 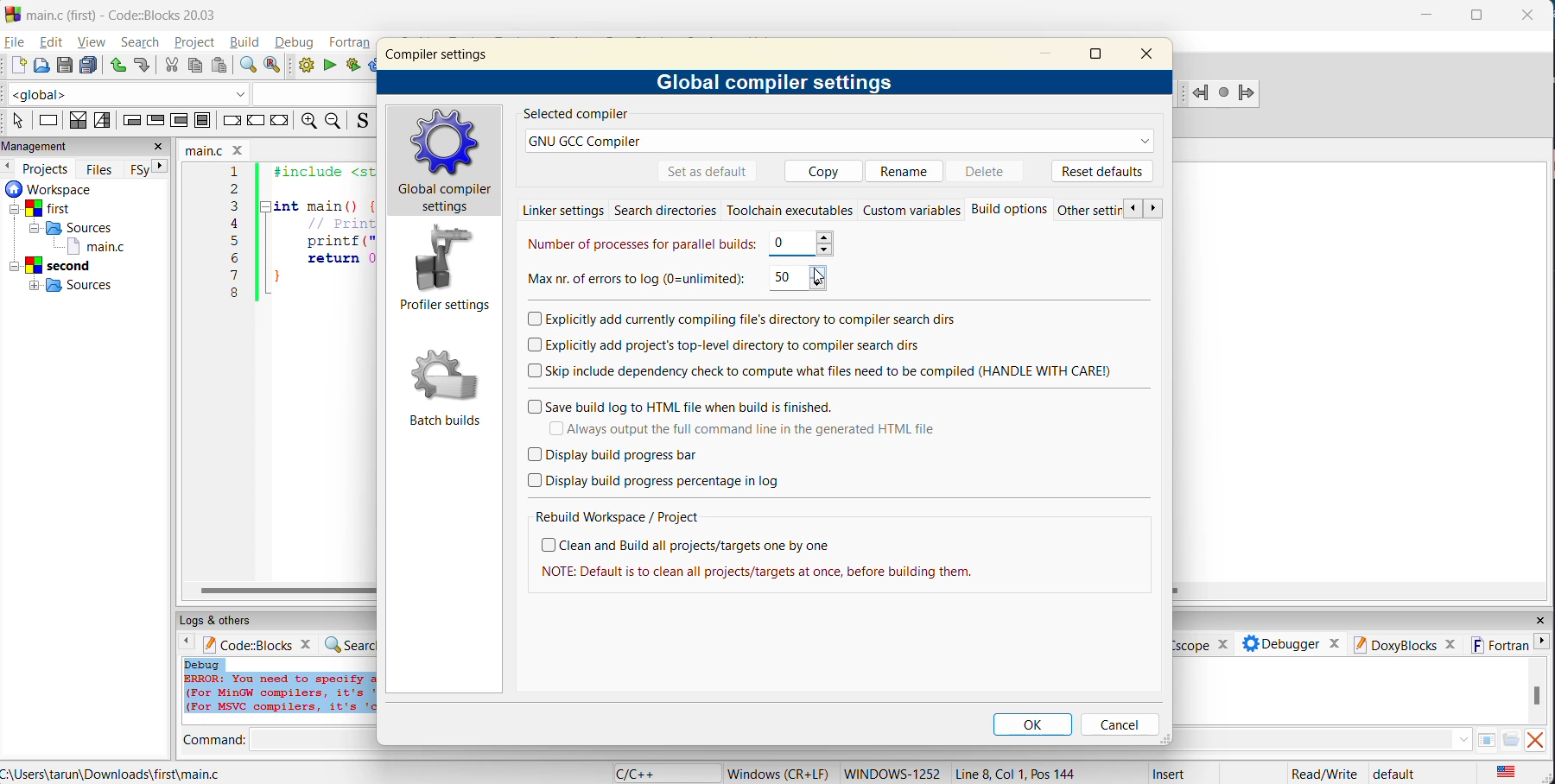 I want to click on copy, so click(x=197, y=66).